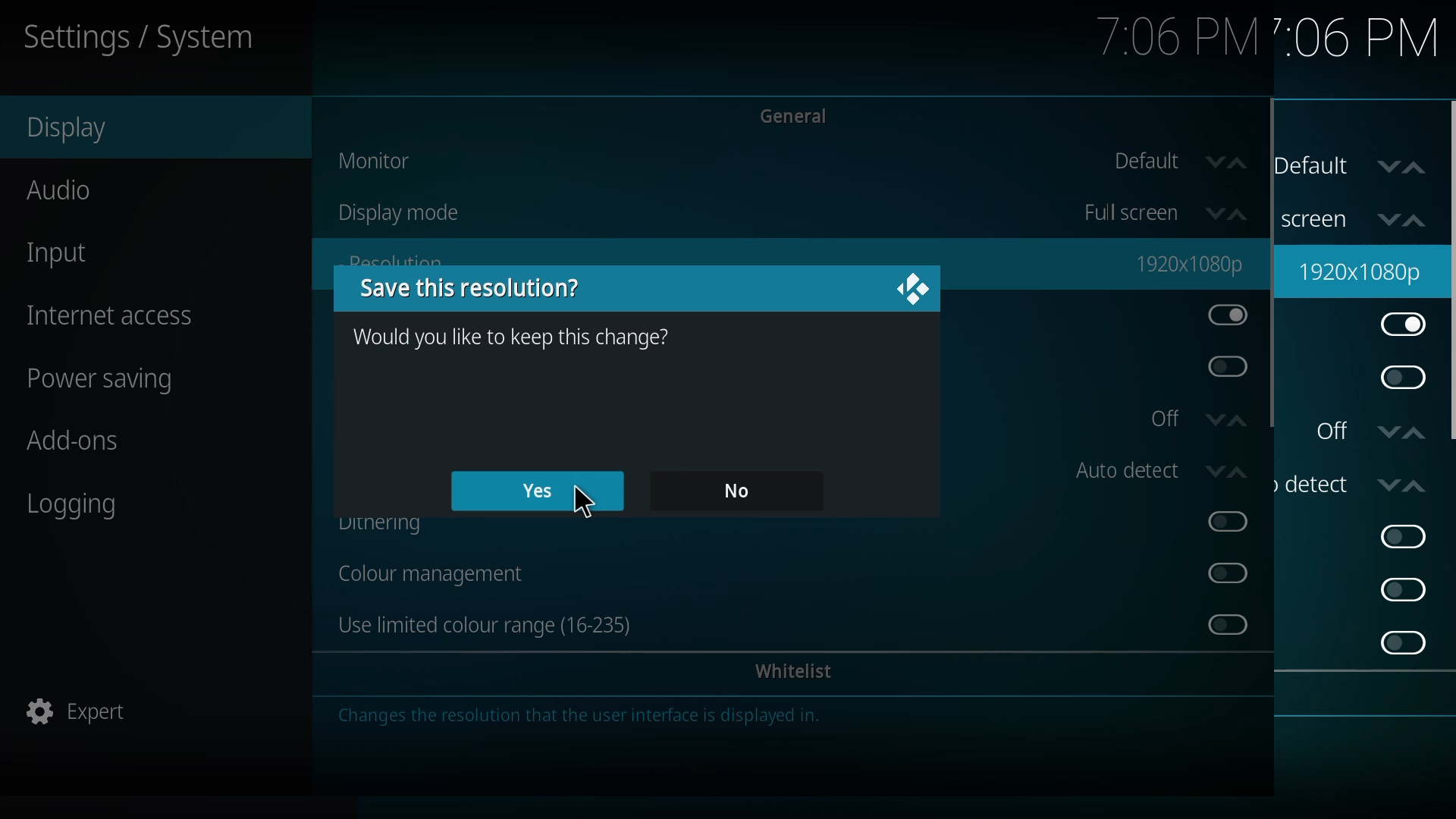 This screenshot has height=819, width=1456. What do you see at coordinates (1371, 430) in the screenshot?
I see `off` at bounding box center [1371, 430].